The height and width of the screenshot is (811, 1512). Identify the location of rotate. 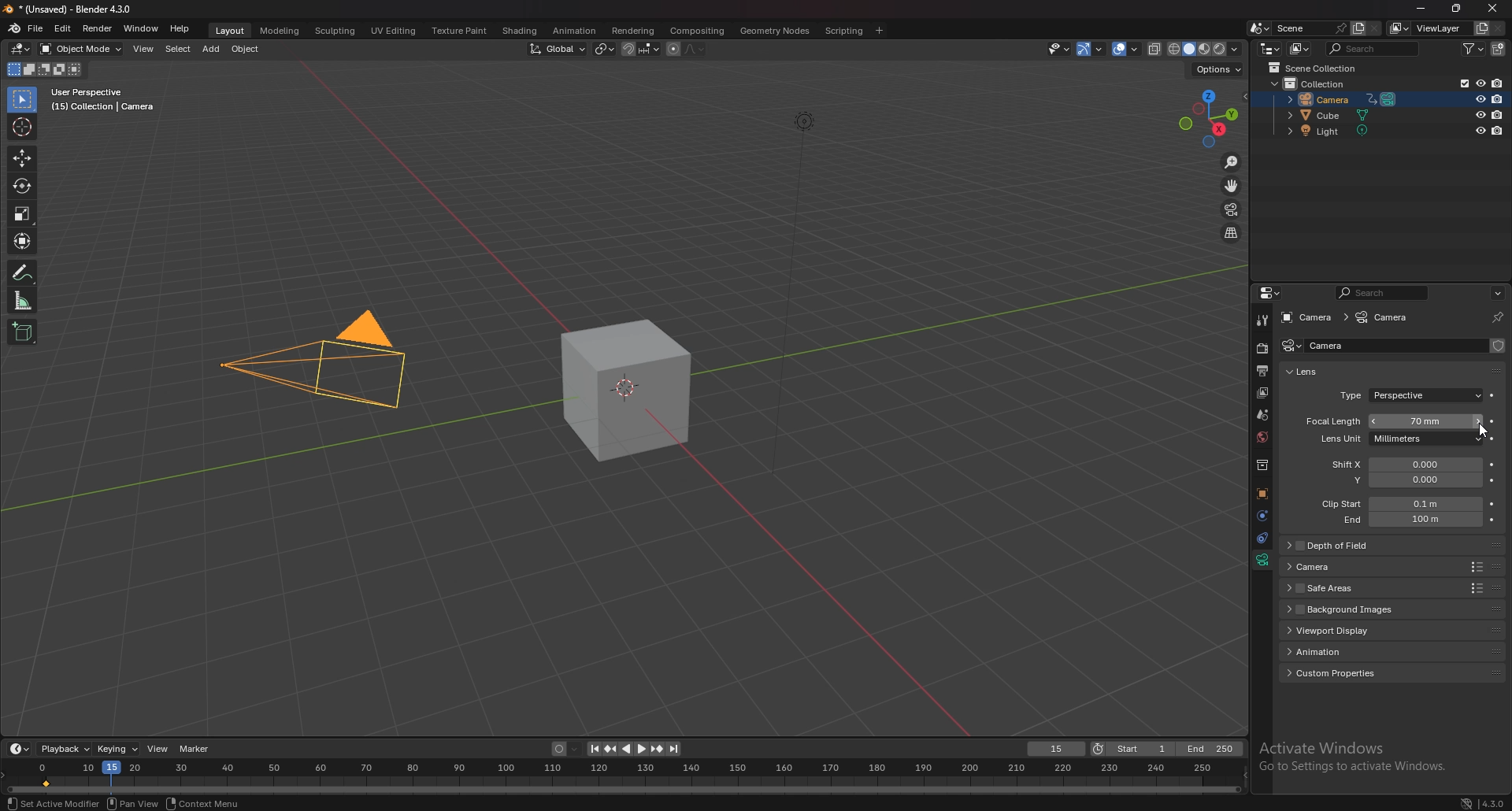
(21, 187).